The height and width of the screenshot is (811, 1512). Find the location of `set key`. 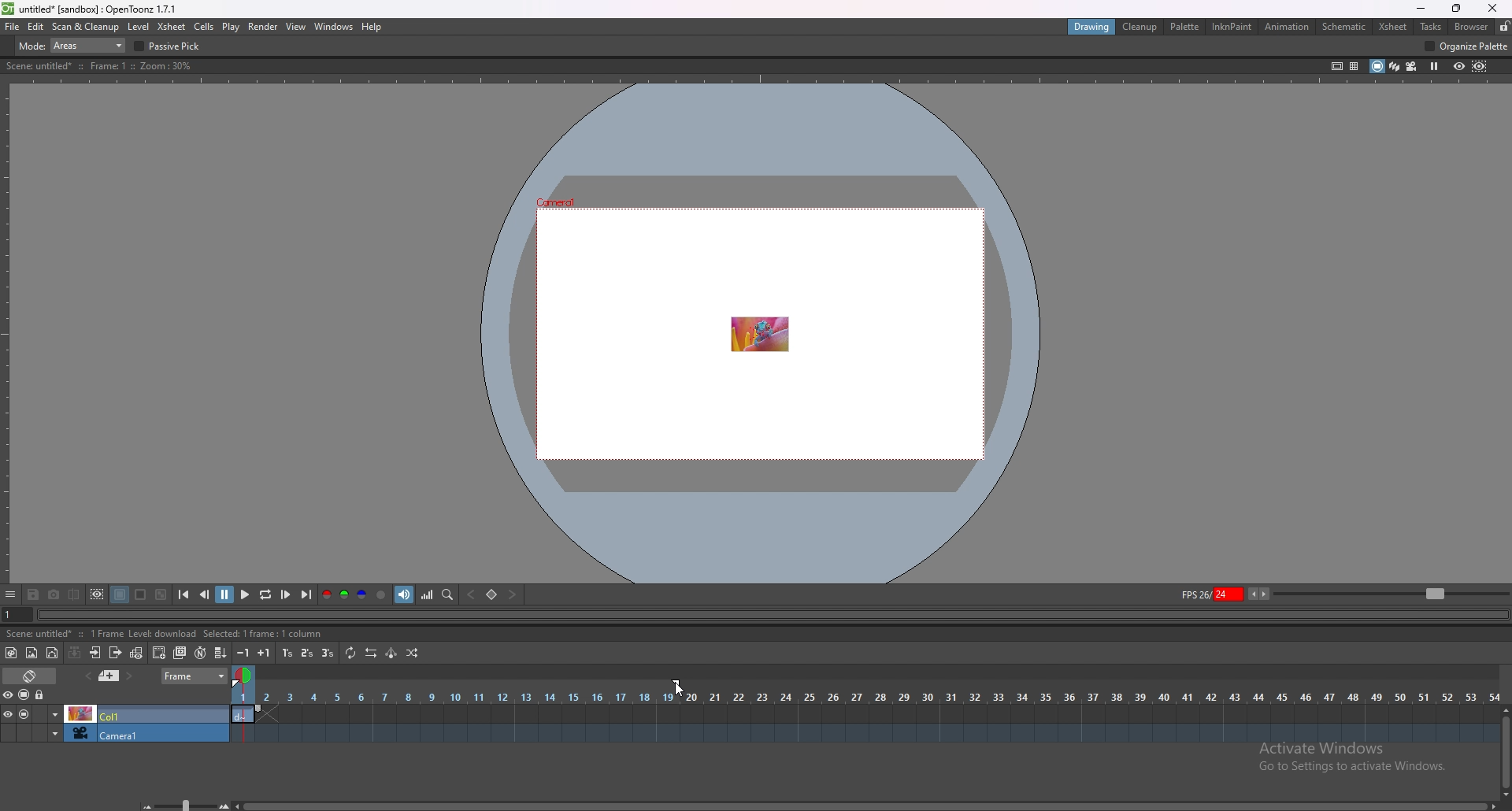

set key is located at coordinates (493, 594).